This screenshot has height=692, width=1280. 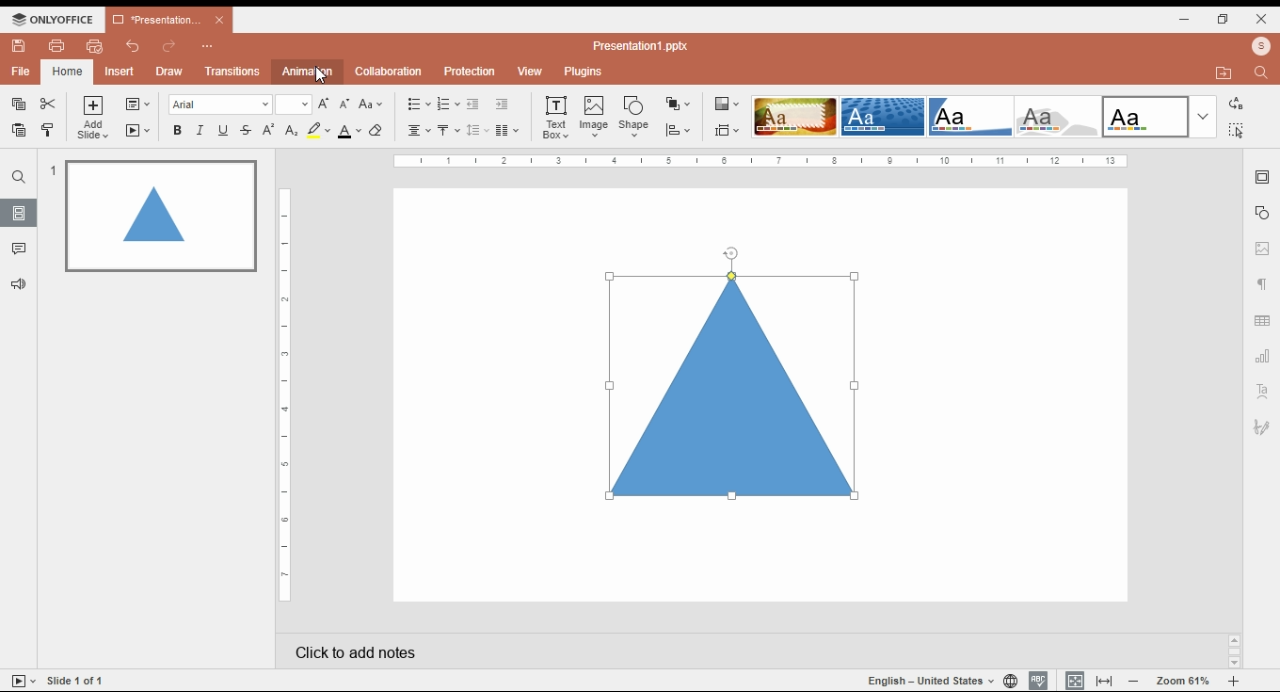 What do you see at coordinates (728, 104) in the screenshot?
I see `select color theme` at bounding box center [728, 104].